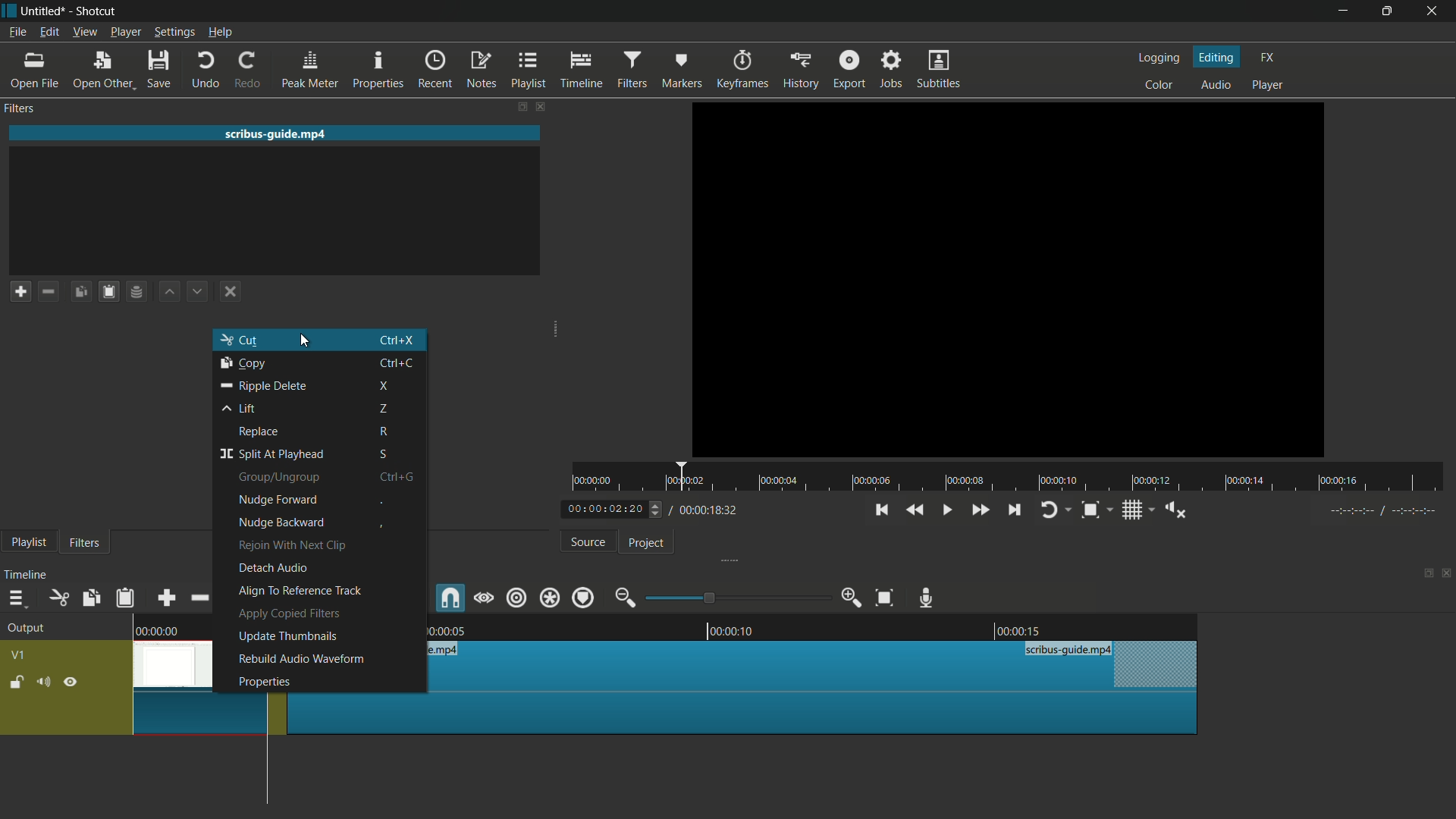  What do you see at coordinates (397, 339) in the screenshot?
I see `keyboard shortcut` at bounding box center [397, 339].